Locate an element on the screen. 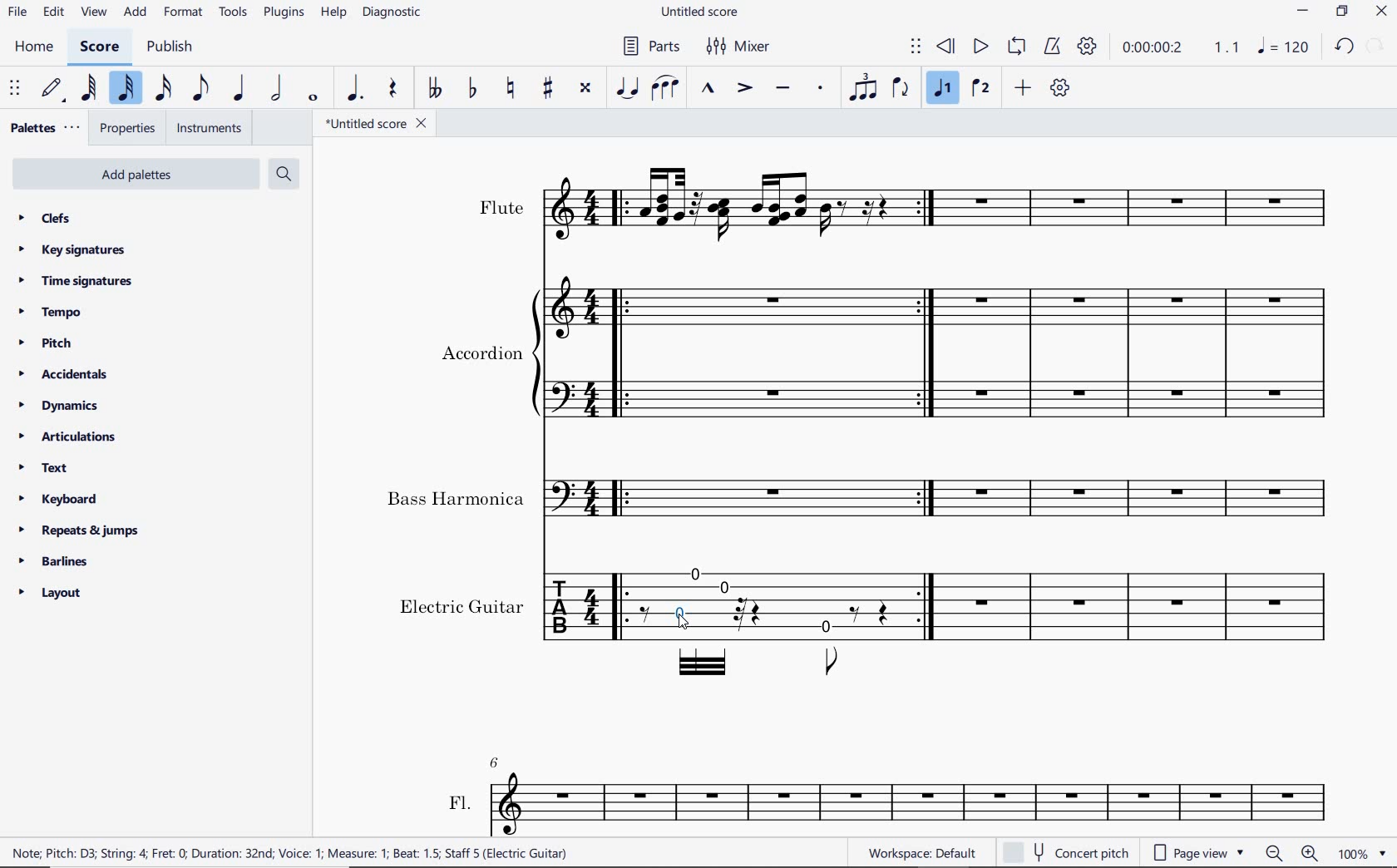  playback time is located at coordinates (1155, 50).